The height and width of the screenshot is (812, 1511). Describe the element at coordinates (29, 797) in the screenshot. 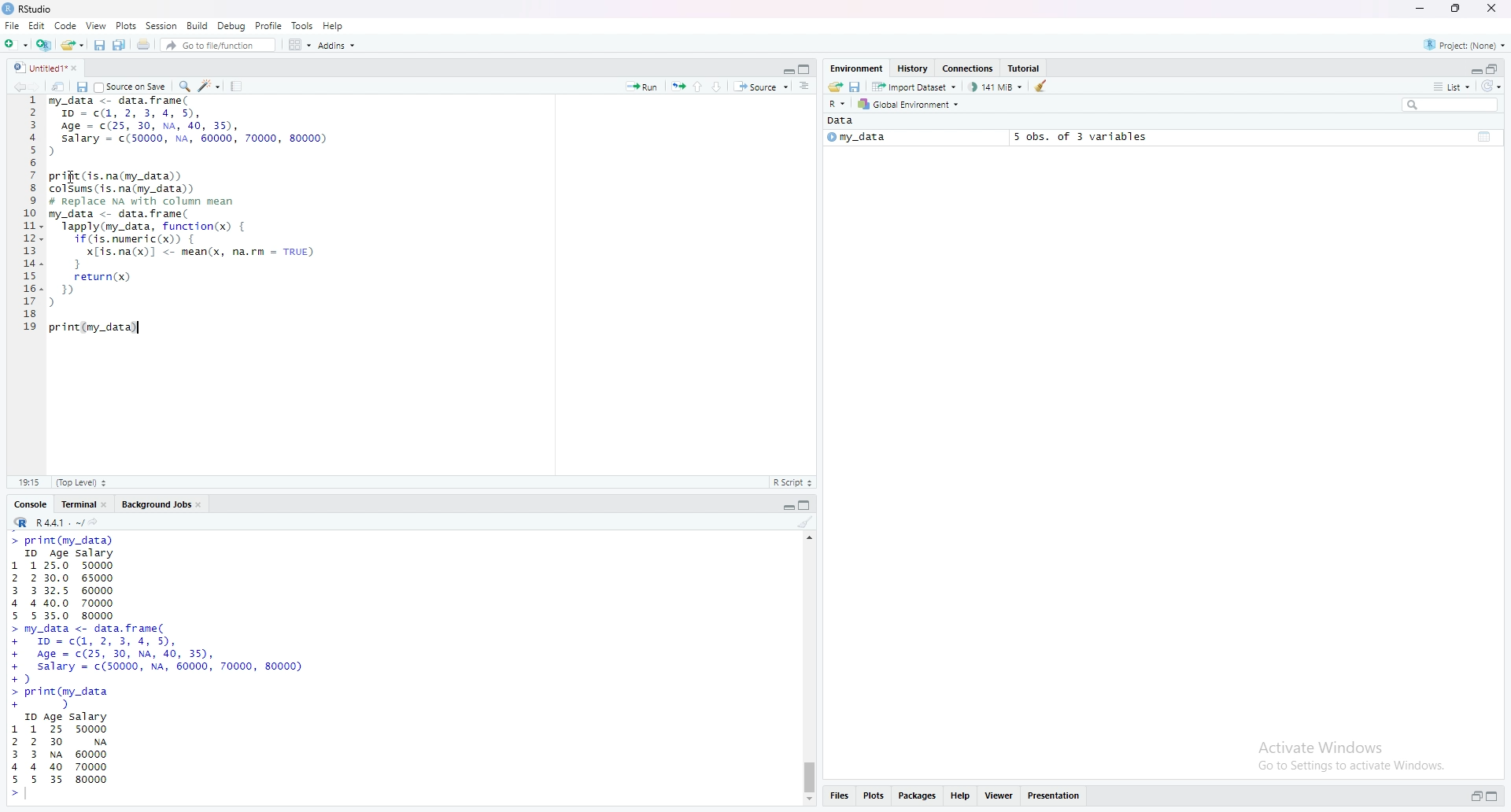

I see `text pointer` at that location.